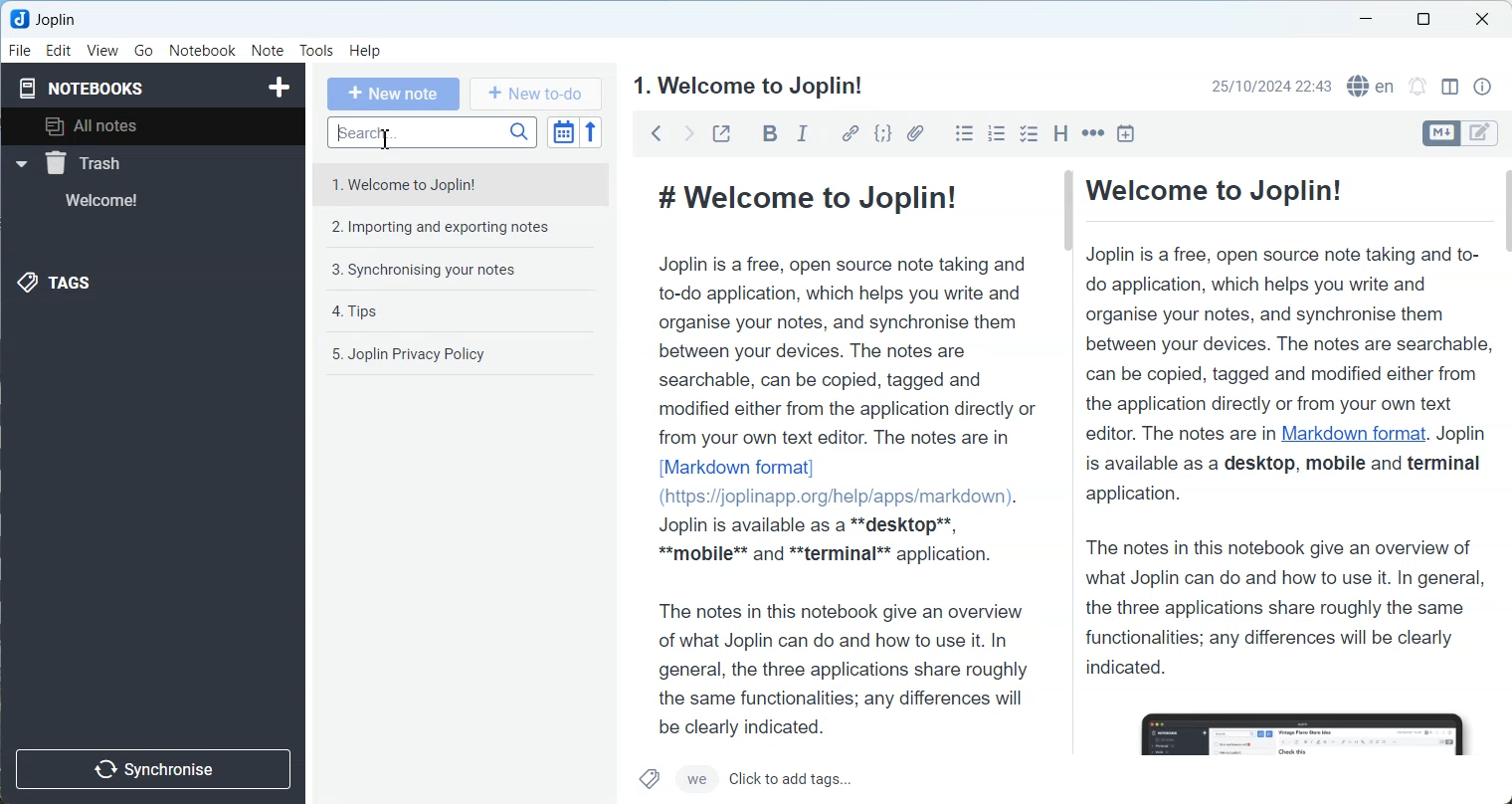 The height and width of the screenshot is (804, 1512). Describe the element at coordinates (648, 779) in the screenshot. I see `Tags` at that location.